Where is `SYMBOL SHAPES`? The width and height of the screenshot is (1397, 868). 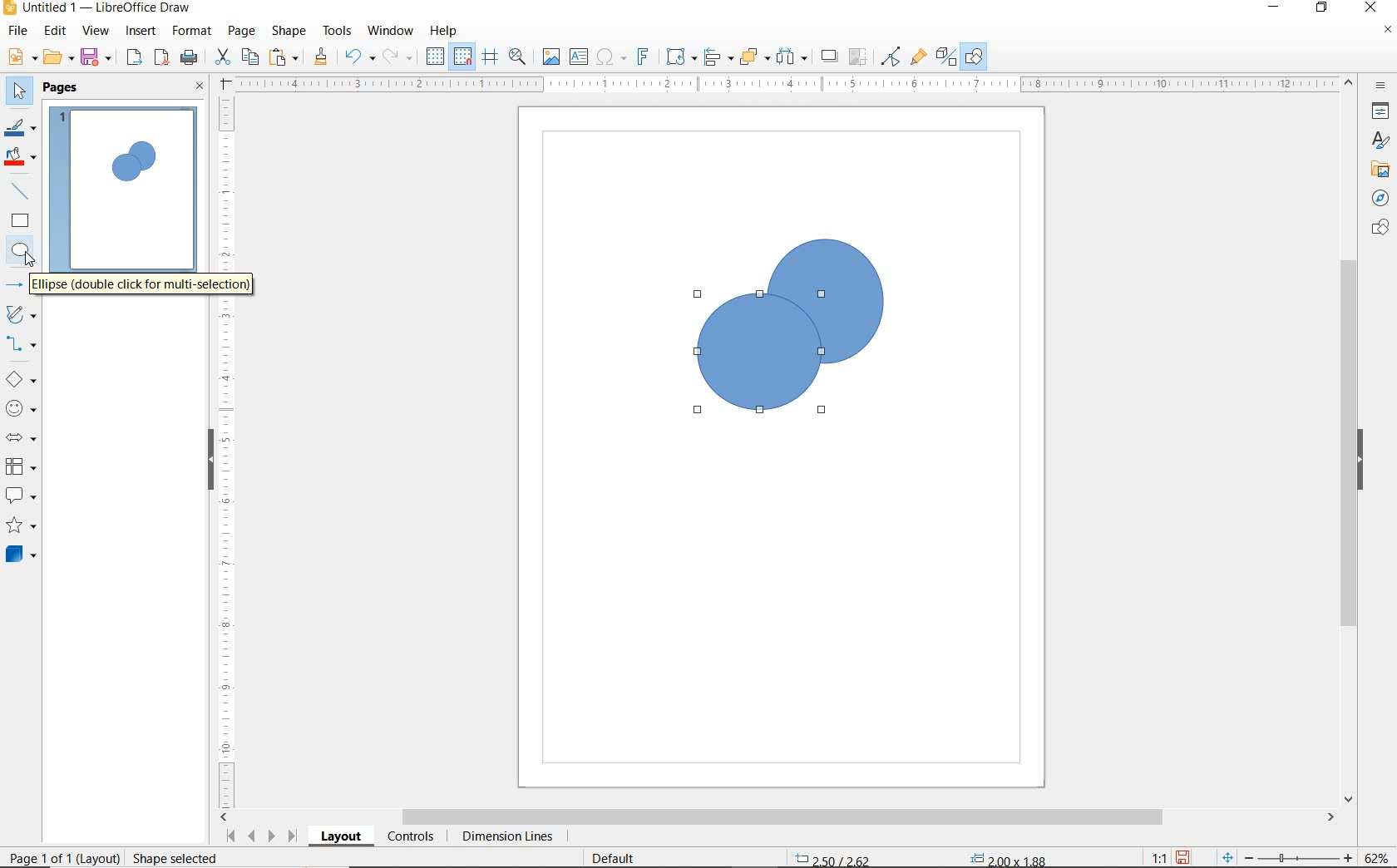
SYMBOL SHAPES is located at coordinates (22, 408).